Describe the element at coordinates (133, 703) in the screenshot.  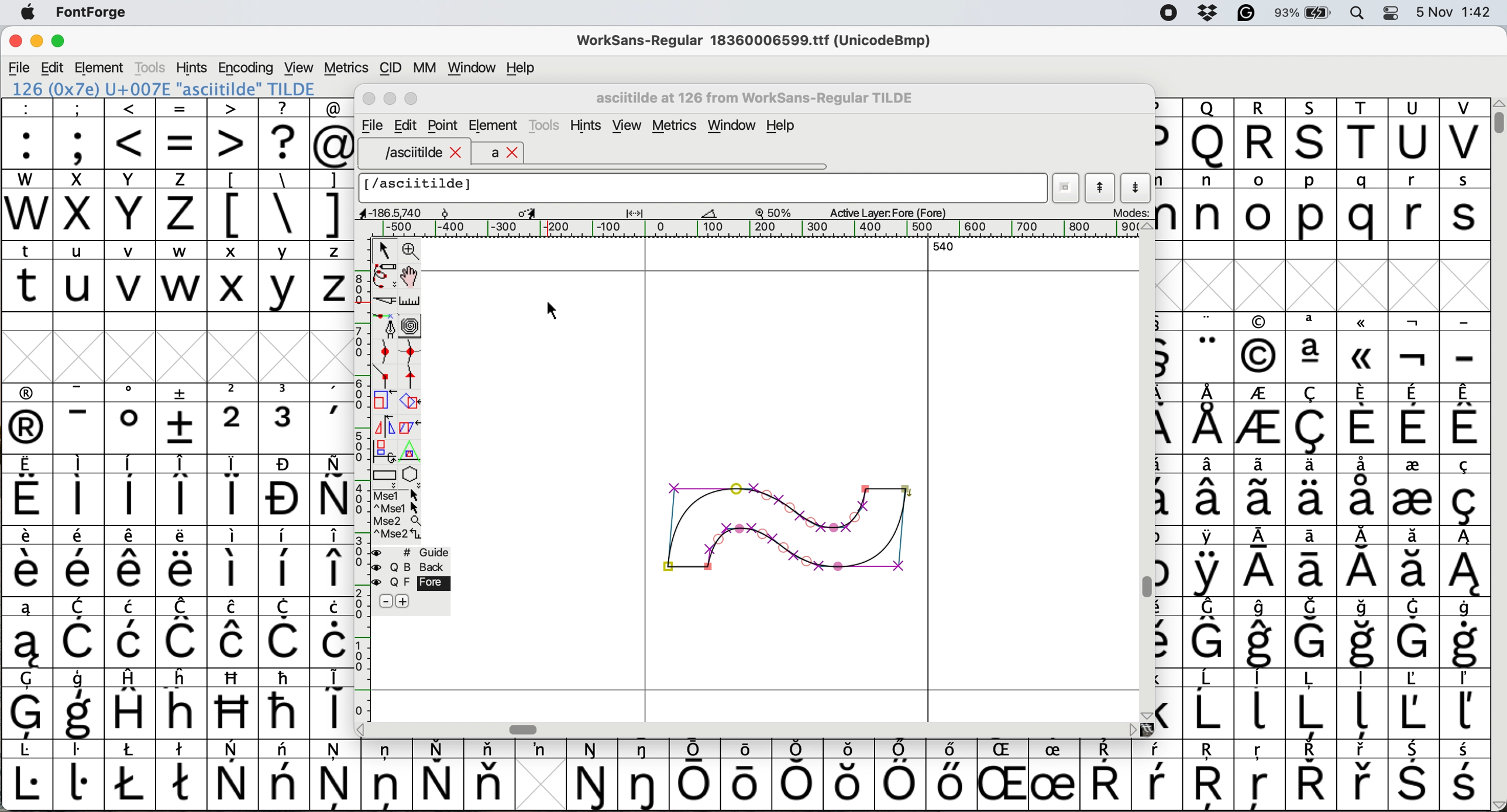
I see `symbol` at that location.